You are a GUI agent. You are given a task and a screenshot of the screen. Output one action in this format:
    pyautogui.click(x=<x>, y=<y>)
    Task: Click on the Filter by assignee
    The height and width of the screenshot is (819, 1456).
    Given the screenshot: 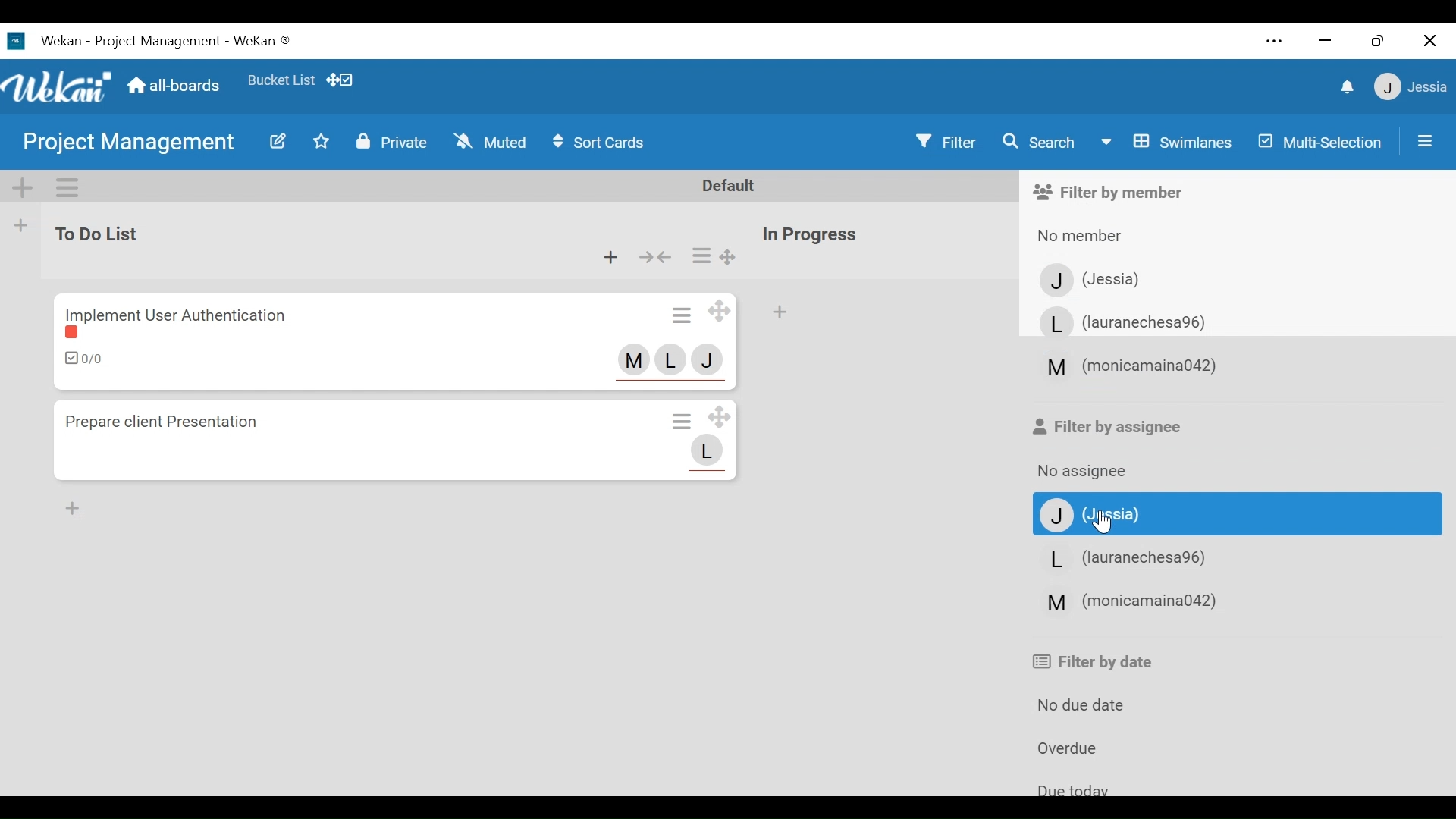 What is the action you would take?
    pyautogui.click(x=1125, y=428)
    